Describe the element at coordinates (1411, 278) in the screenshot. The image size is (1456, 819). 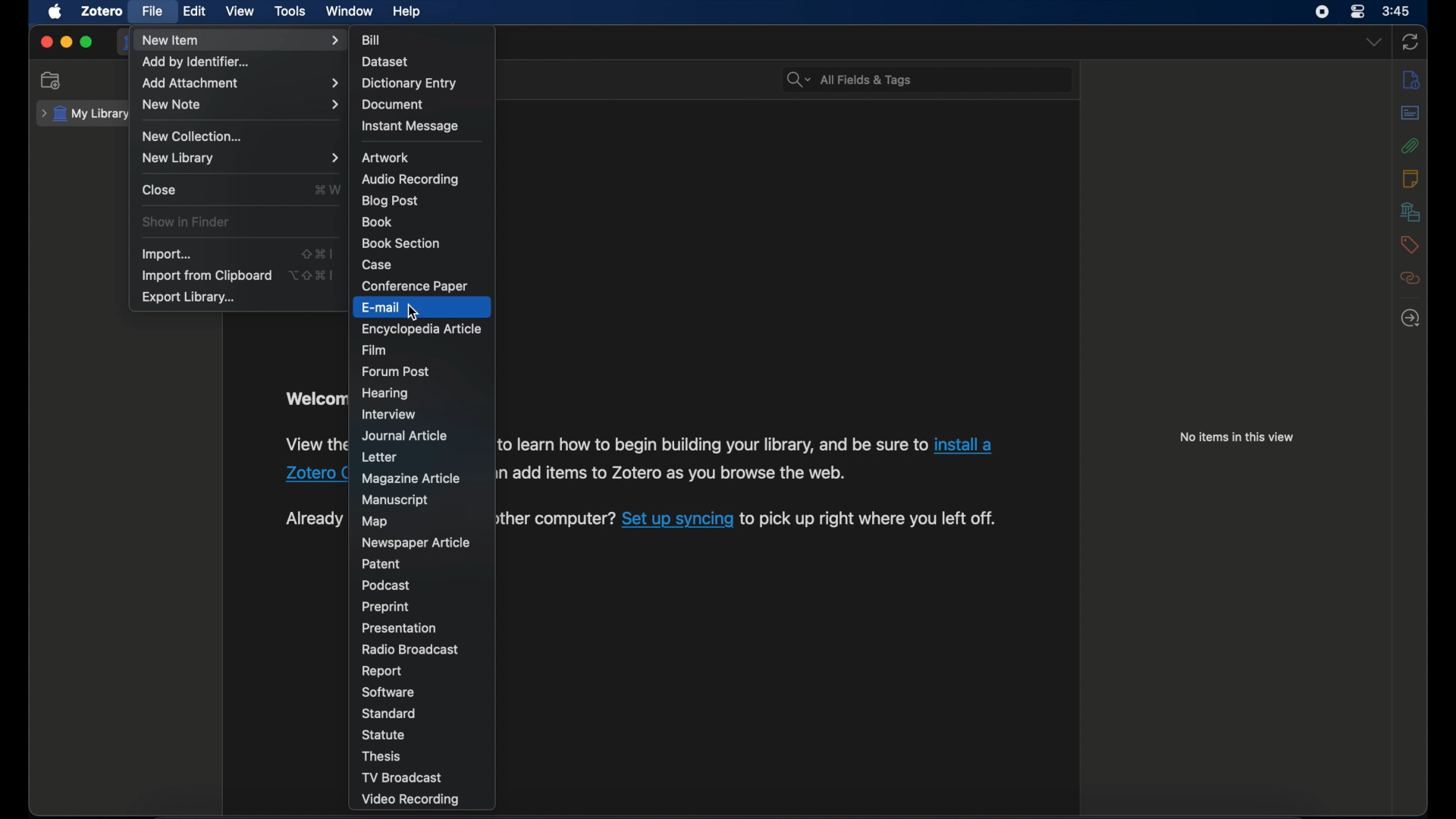
I see `related` at that location.